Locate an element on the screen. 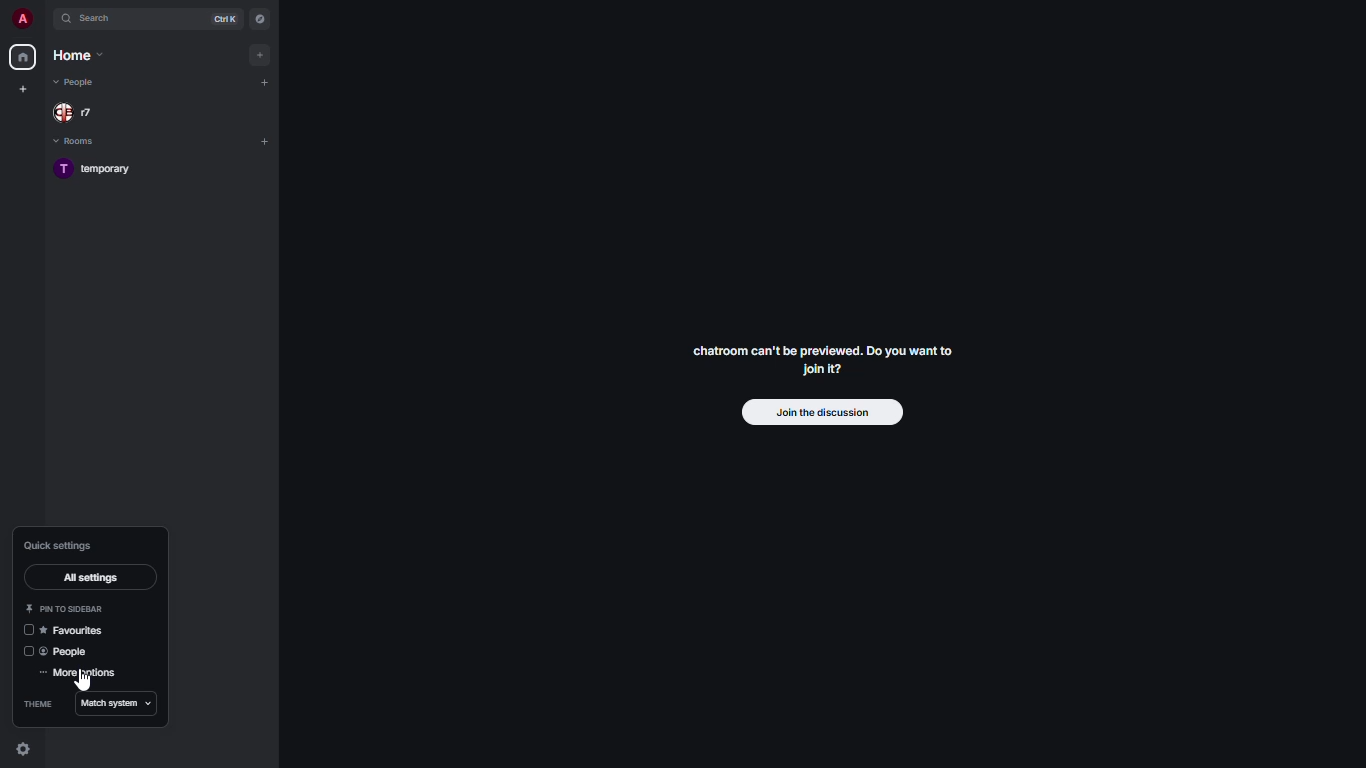  join the discussion is located at coordinates (816, 412).